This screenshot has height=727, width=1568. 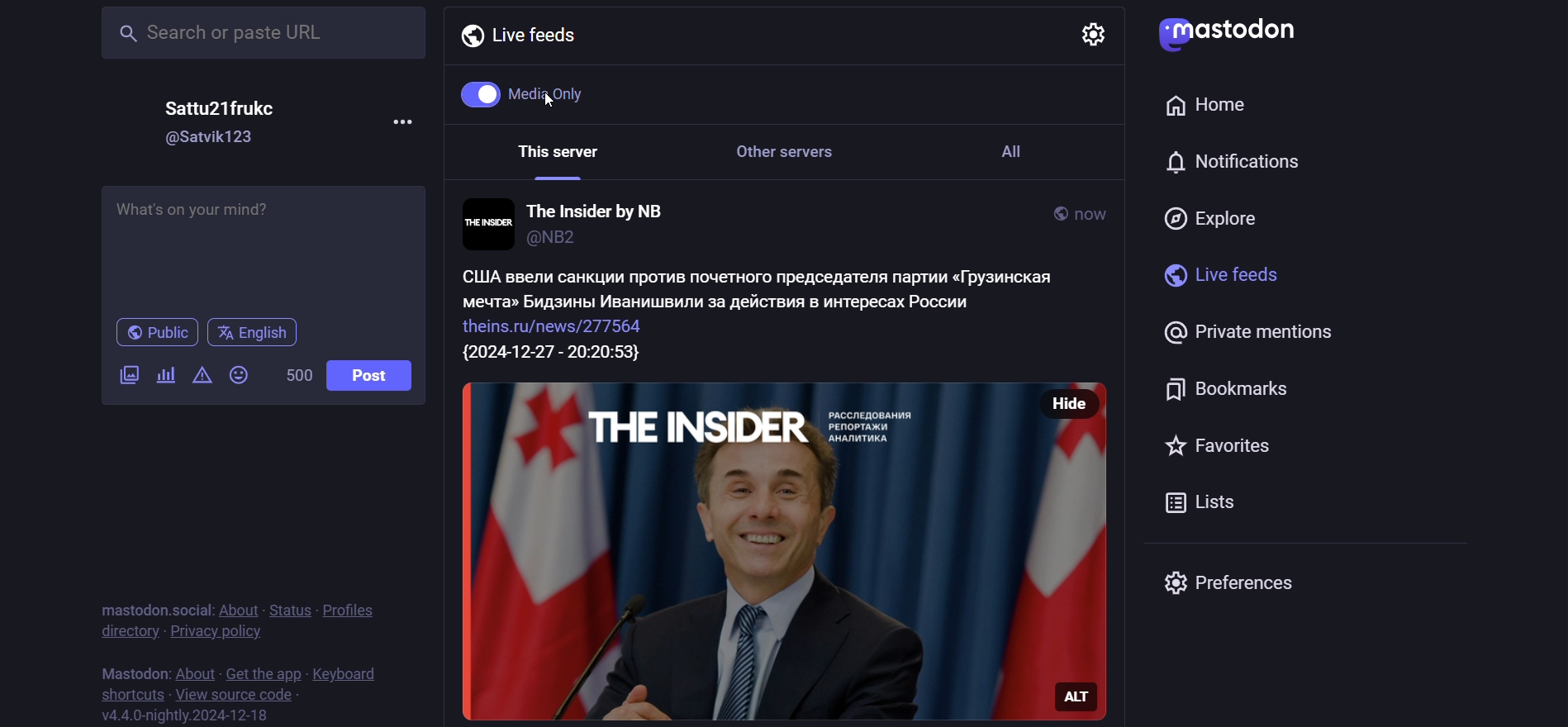 I want to click on profile picture, so click(x=484, y=222).